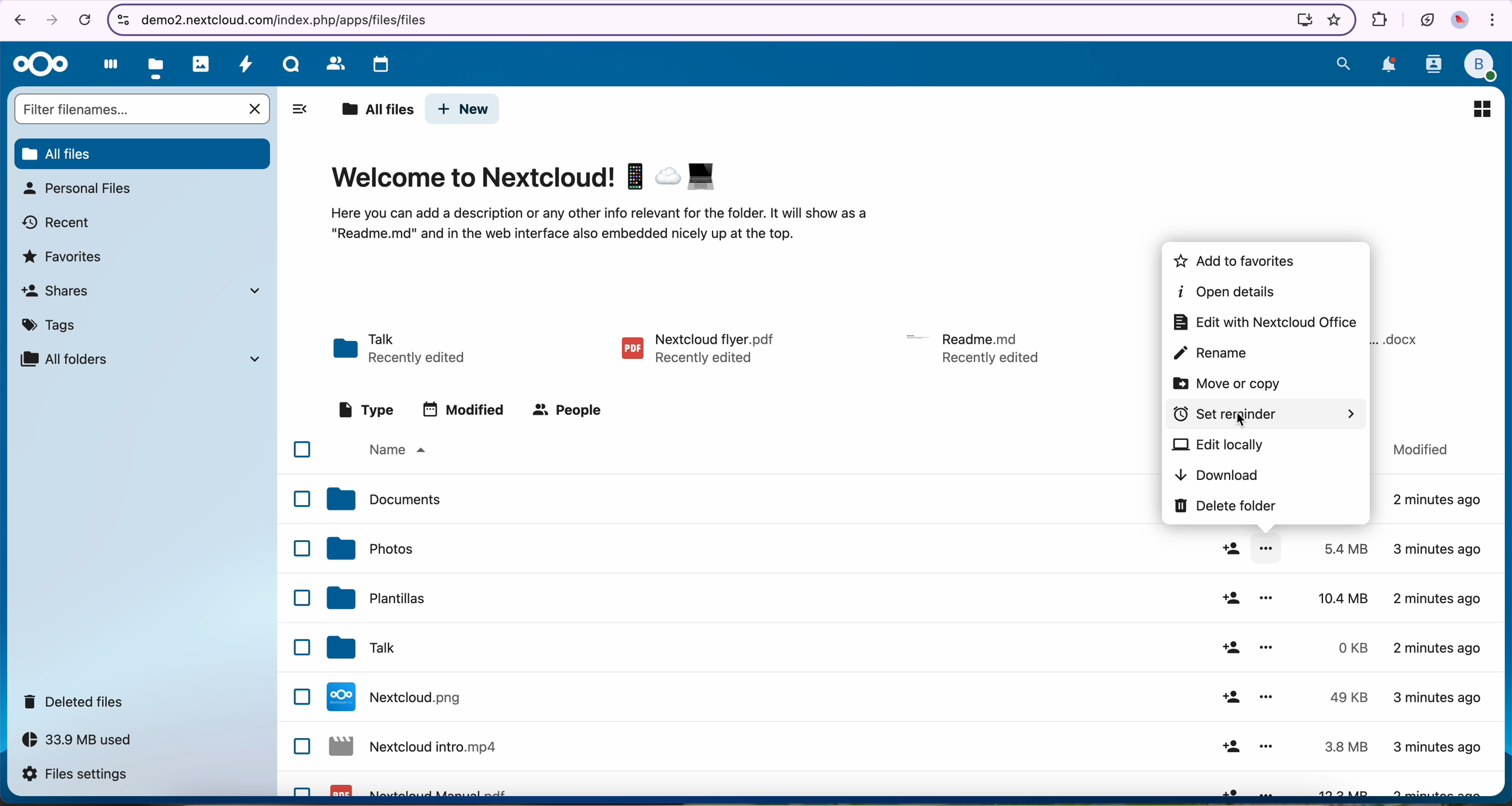 The height and width of the screenshot is (806, 1512). Describe the element at coordinates (1377, 18) in the screenshot. I see `extensions` at that location.